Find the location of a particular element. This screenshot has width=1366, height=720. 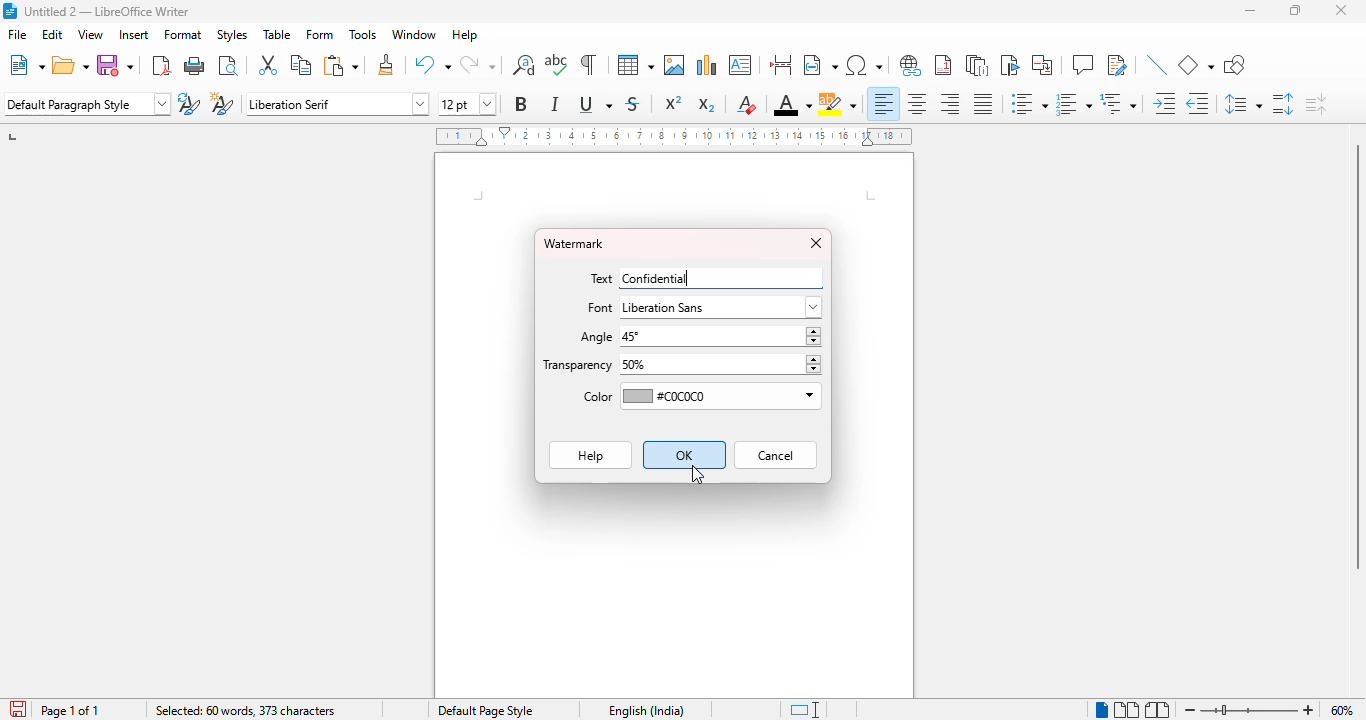

view is located at coordinates (90, 34).